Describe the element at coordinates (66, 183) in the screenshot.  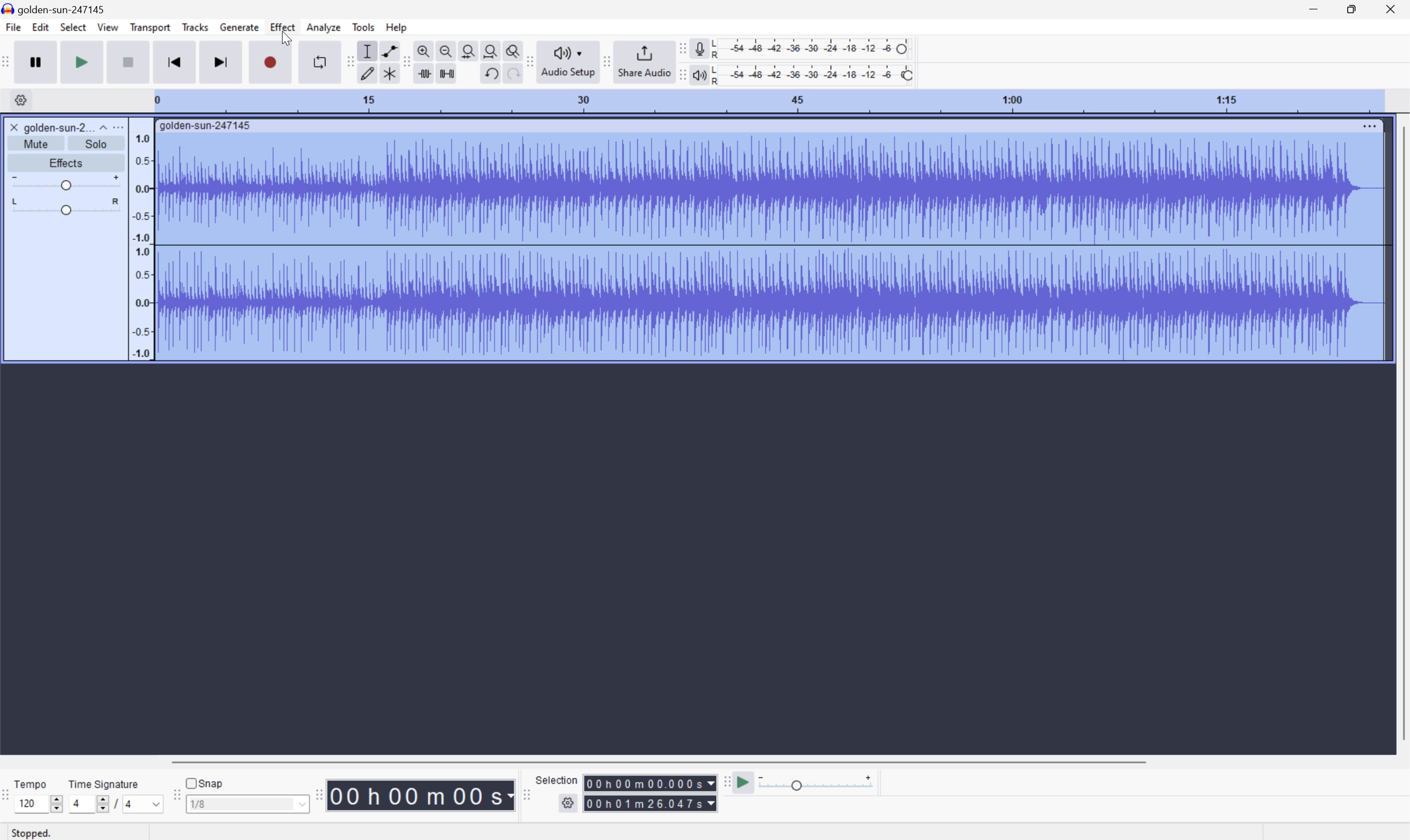
I see `Slider` at that location.